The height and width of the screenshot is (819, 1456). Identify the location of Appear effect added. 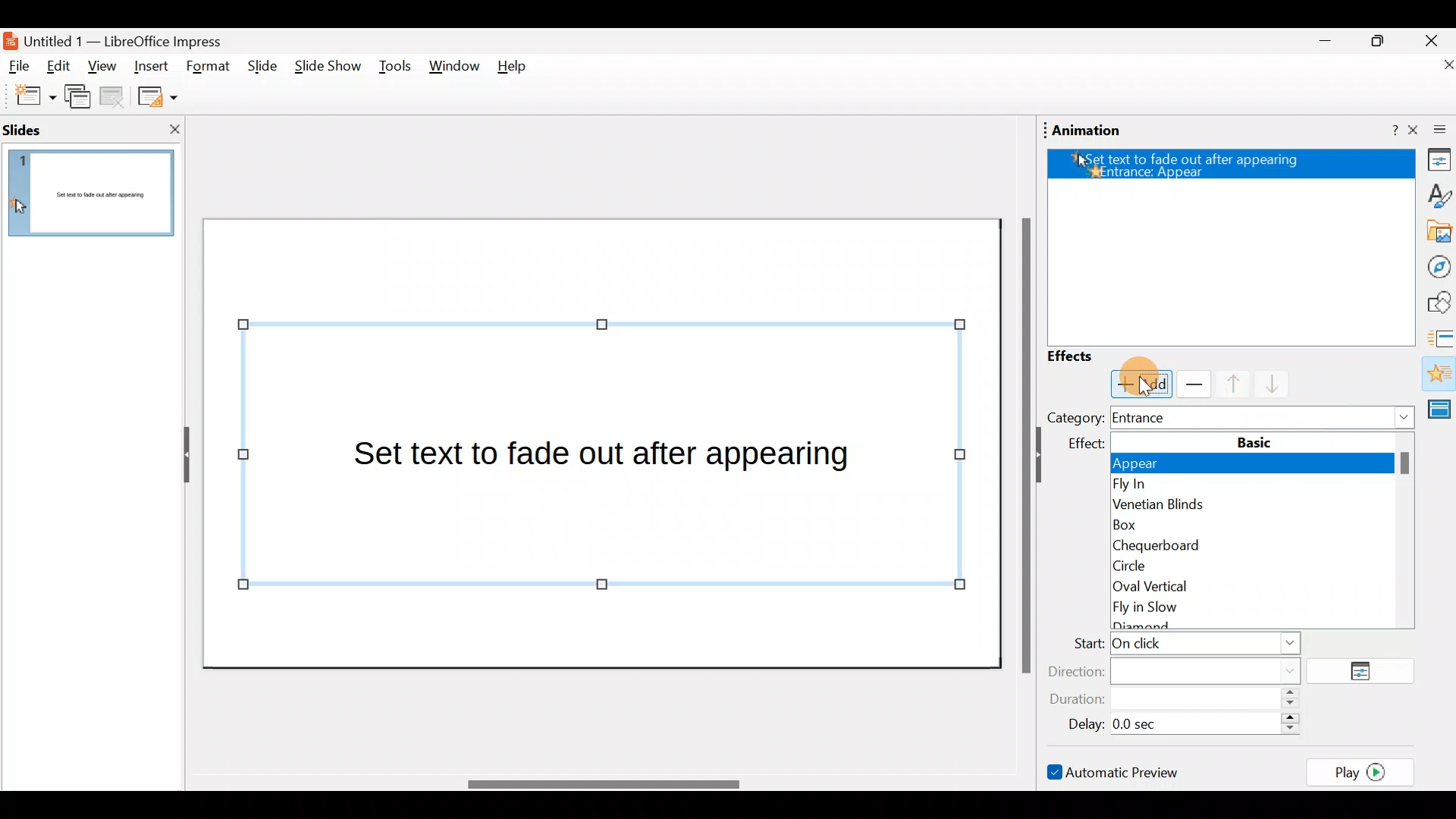
(1225, 167).